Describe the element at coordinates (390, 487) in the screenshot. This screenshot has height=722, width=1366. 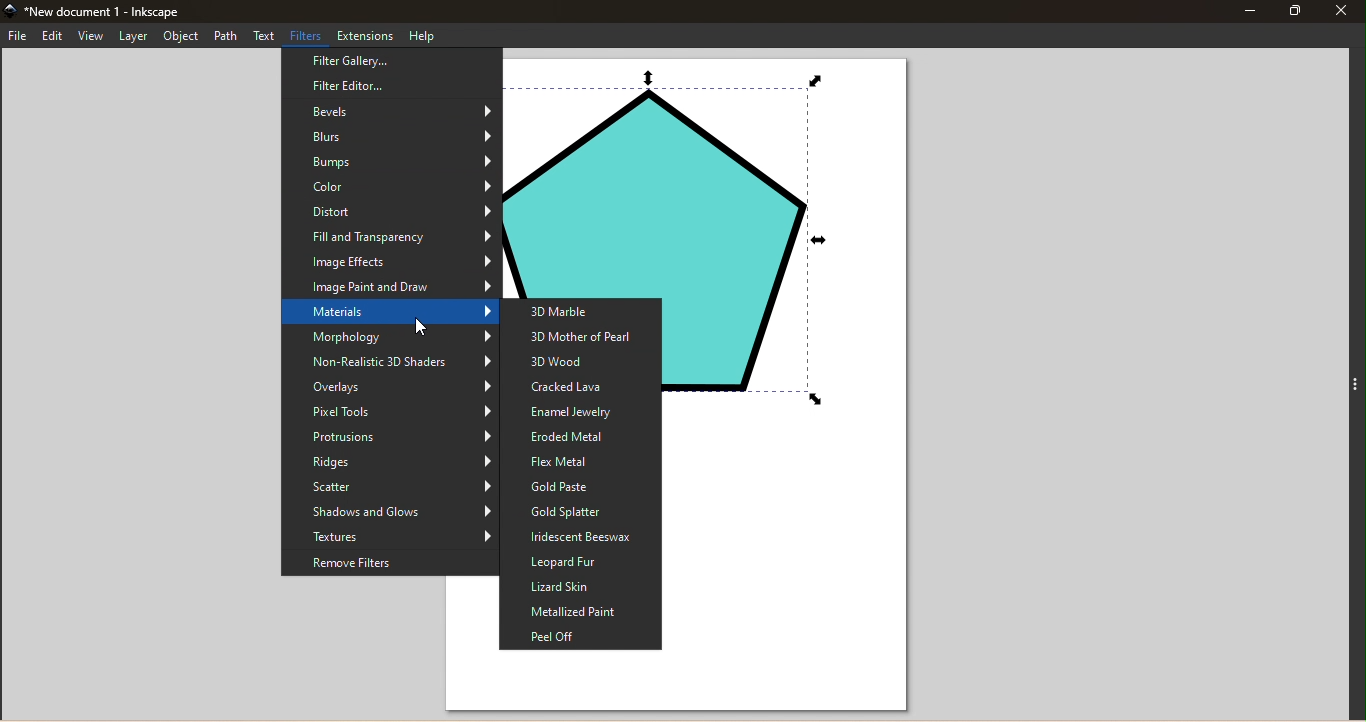
I see `Scatter` at that location.